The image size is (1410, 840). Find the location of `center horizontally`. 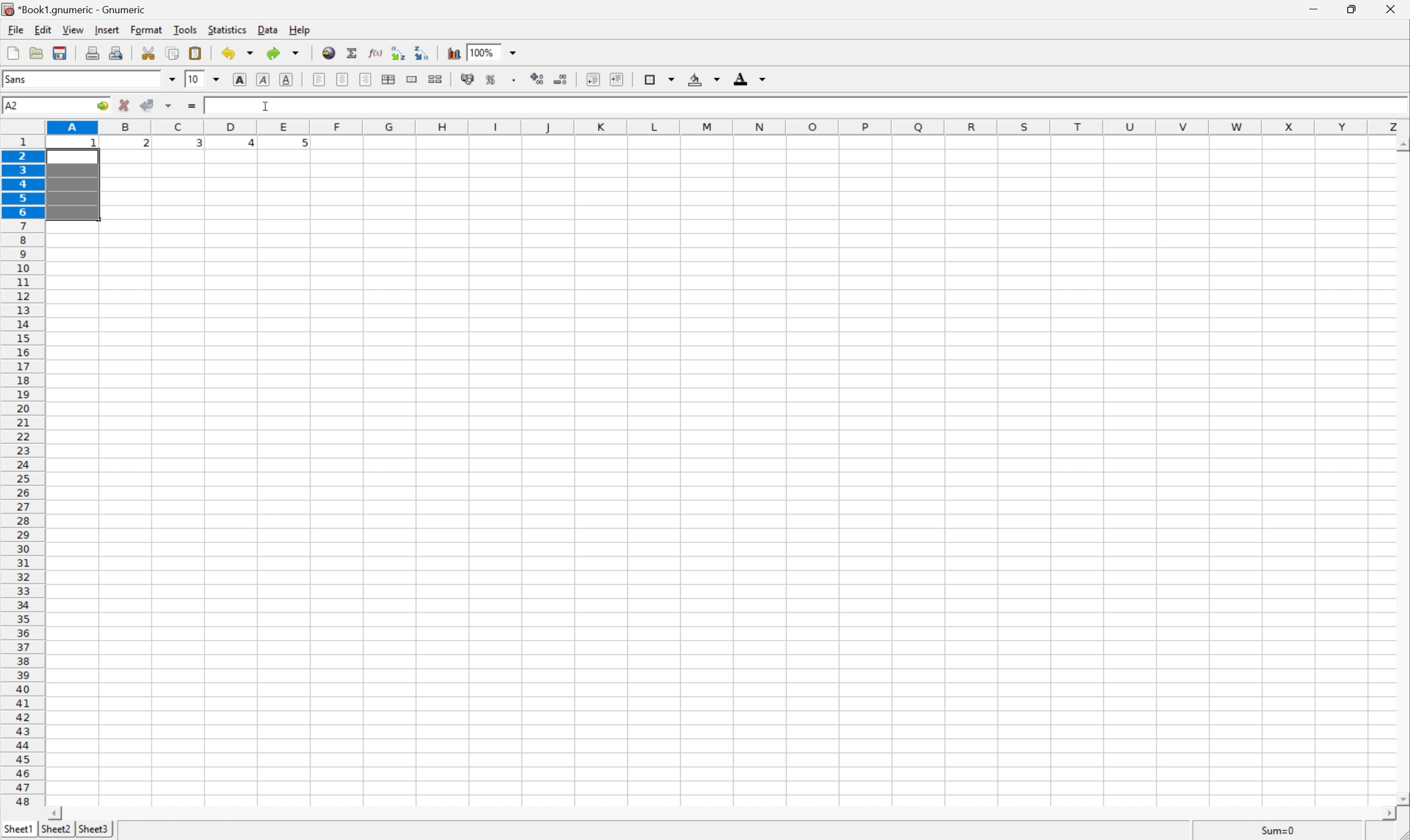

center horizontally is located at coordinates (344, 78).